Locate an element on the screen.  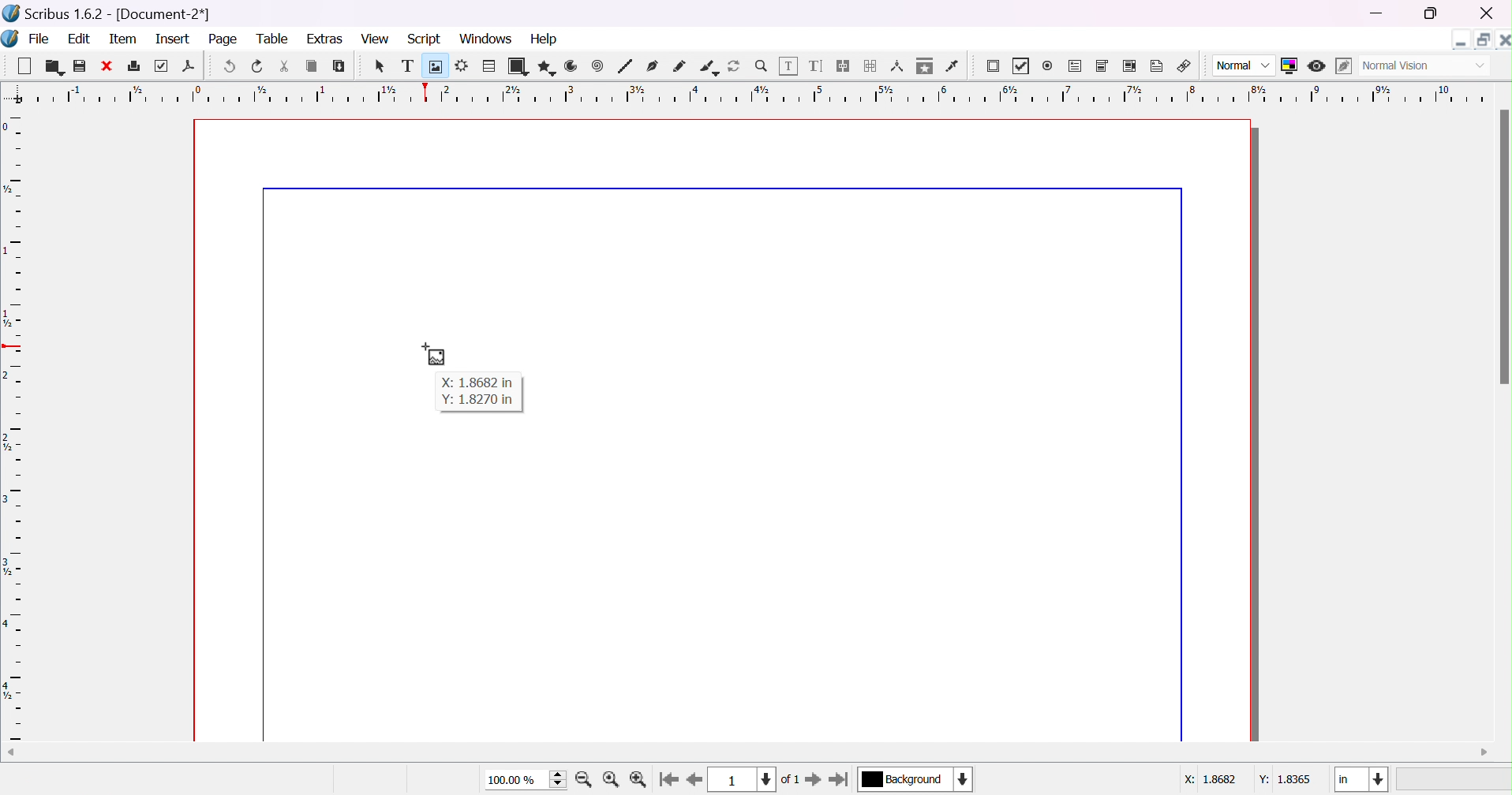
close is located at coordinates (1488, 13).